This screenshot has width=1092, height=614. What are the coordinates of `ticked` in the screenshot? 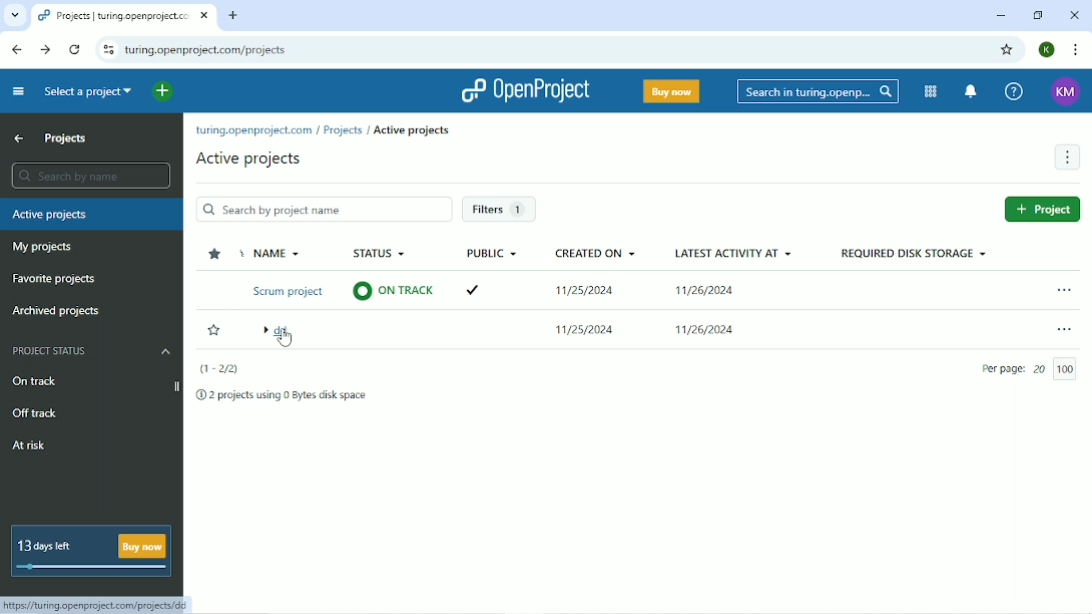 It's located at (468, 289).